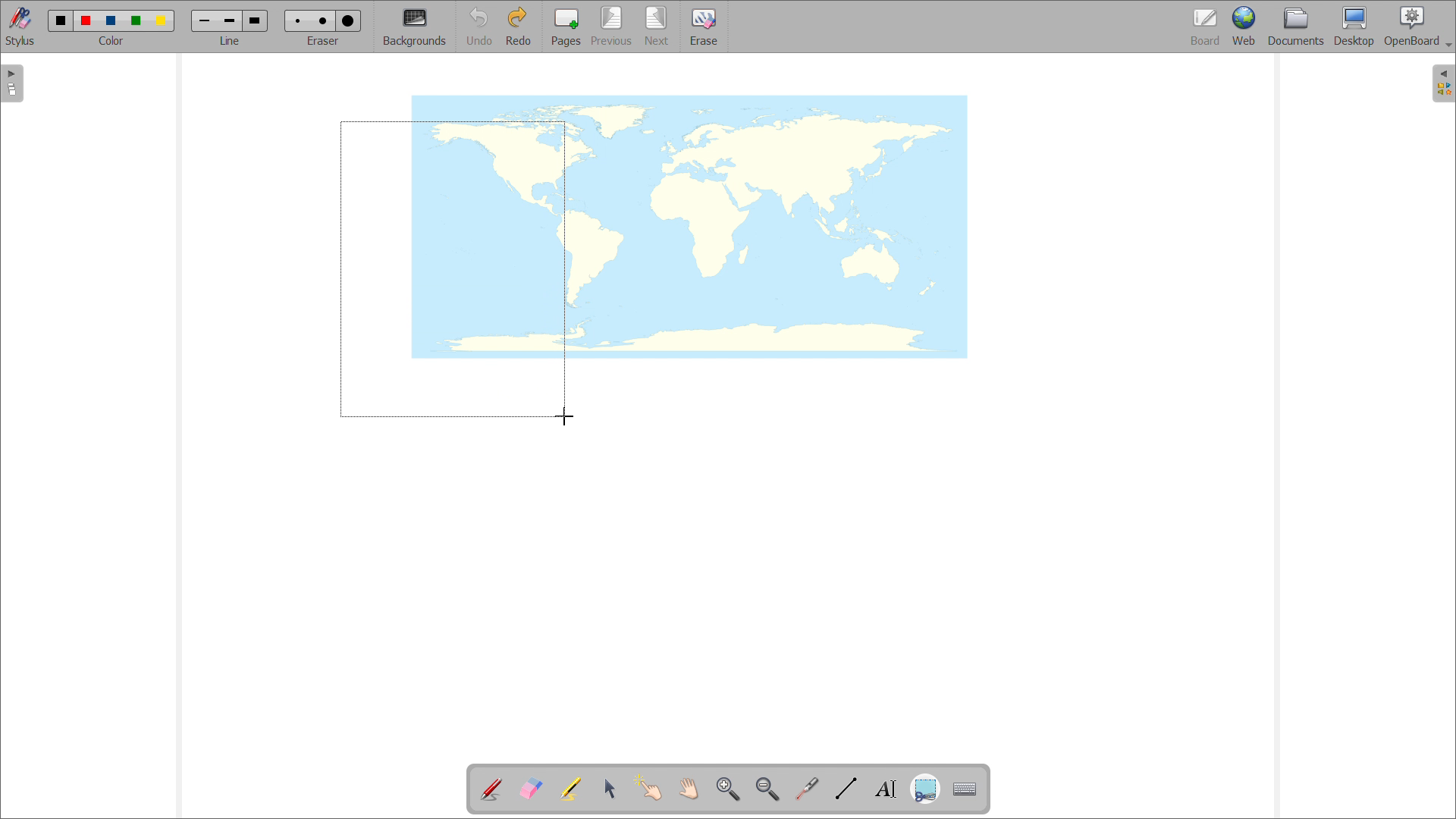 This screenshot has height=819, width=1456. What do you see at coordinates (136, 20) in the screenshot?
I see `green` at bounding box center [136, 20].